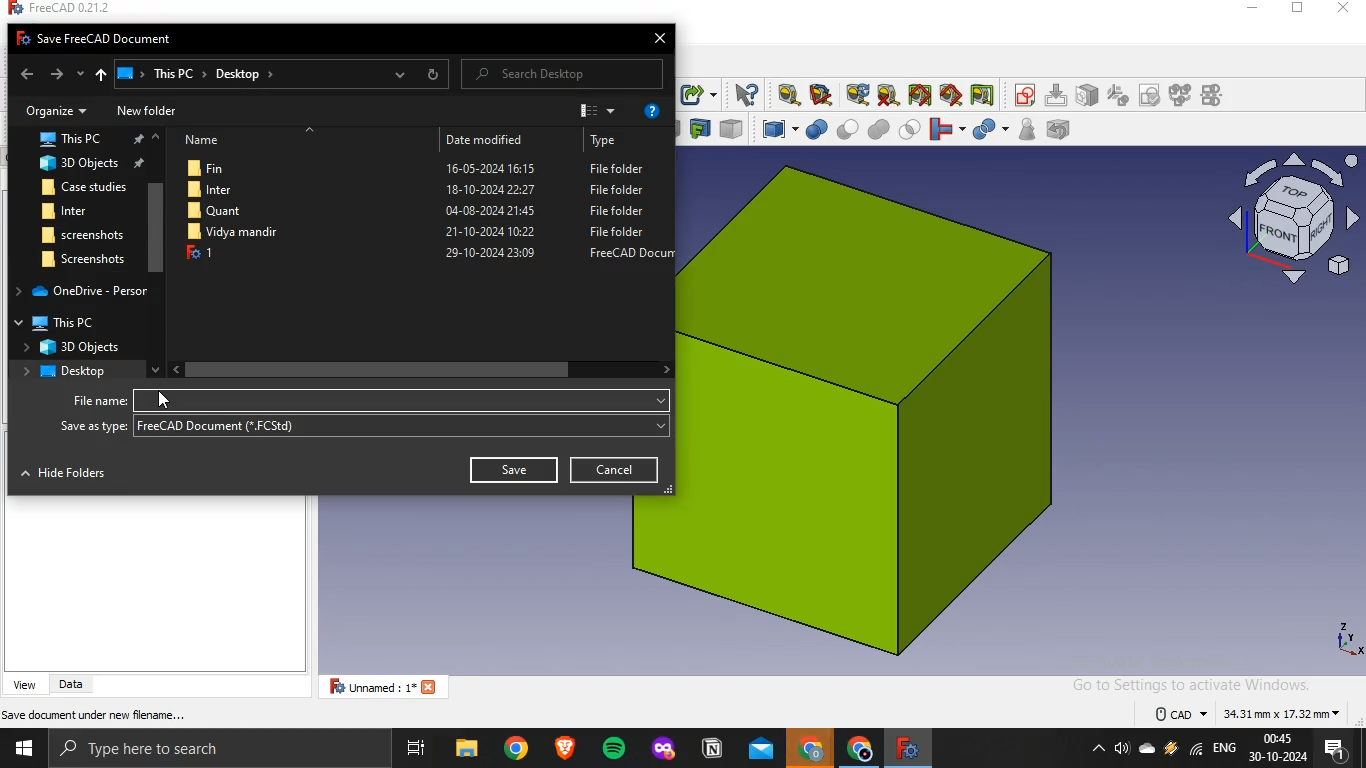  I want to click on inter, so click(67, 214).